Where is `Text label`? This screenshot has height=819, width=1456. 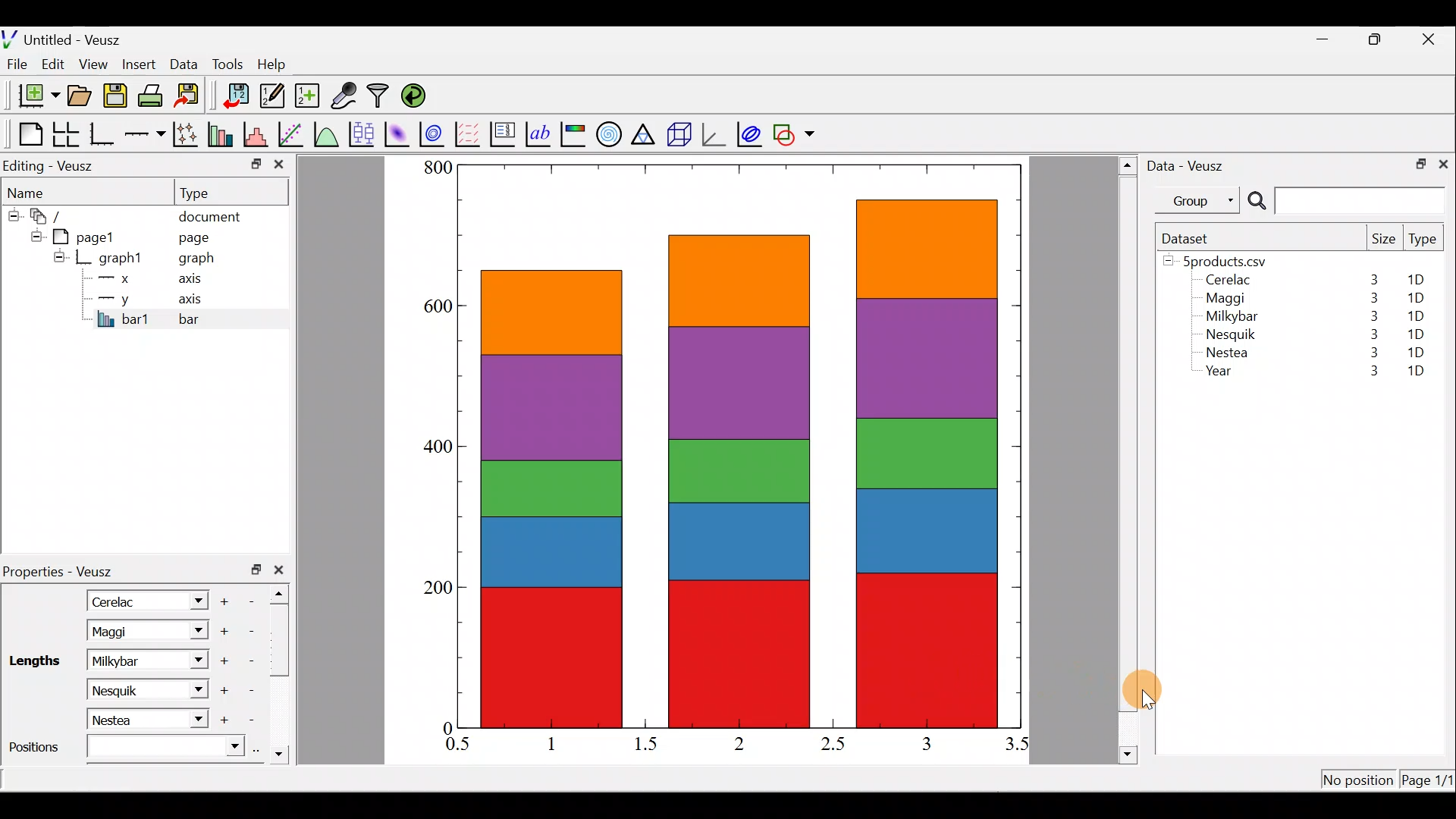
Text label is located at coordinates (540, 132).